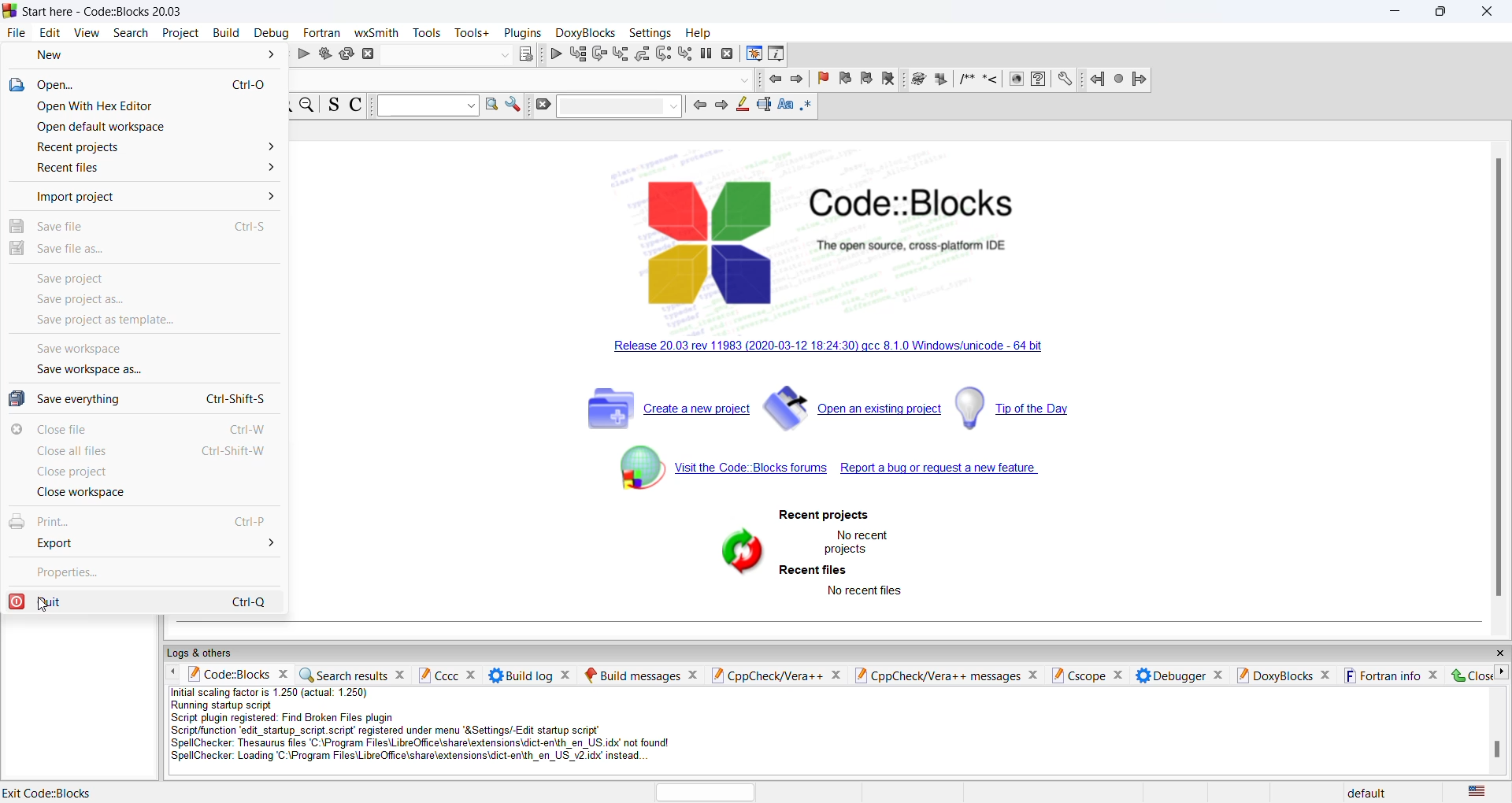 Image resolution: width=1512 pixels, height=803 pixels. I want to click on file icon, so click(17, 87).